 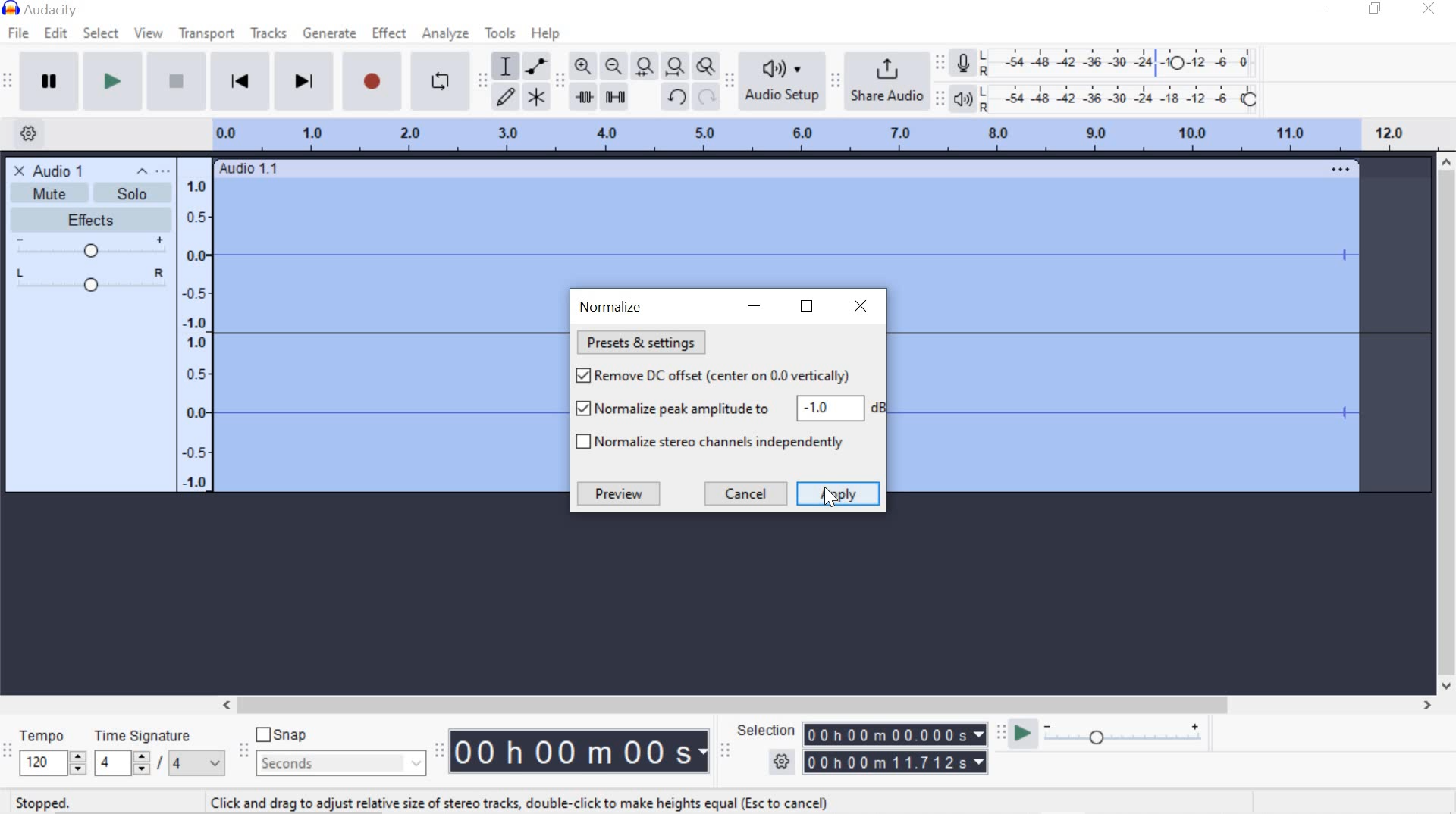 I want to click on Selection time, so click(x=898, y=749).